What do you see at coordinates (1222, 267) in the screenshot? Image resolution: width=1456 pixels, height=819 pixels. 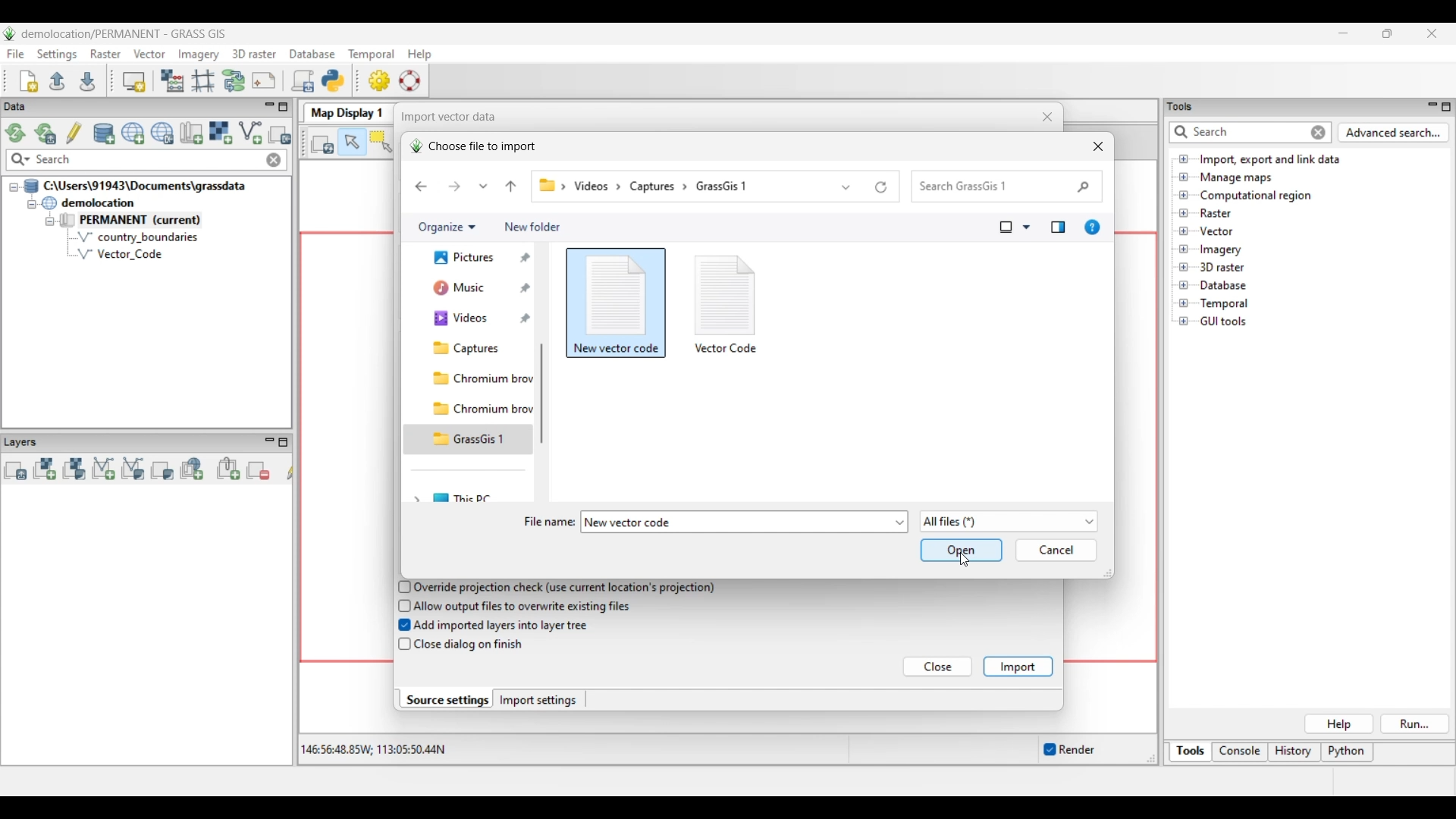 I see `Double click to see files under 3D raster` at bounding box center [1222, 267].